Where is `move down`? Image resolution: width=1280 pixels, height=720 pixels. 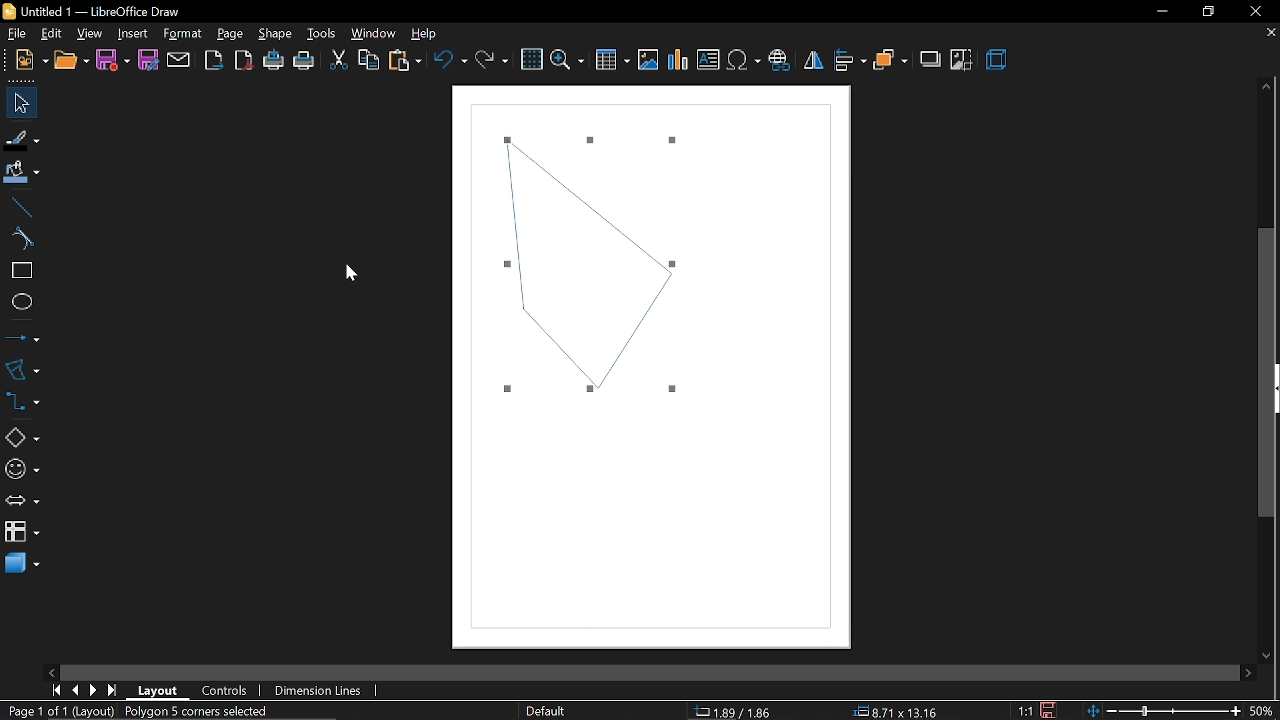
move down is located at coordinates (1268, 653).